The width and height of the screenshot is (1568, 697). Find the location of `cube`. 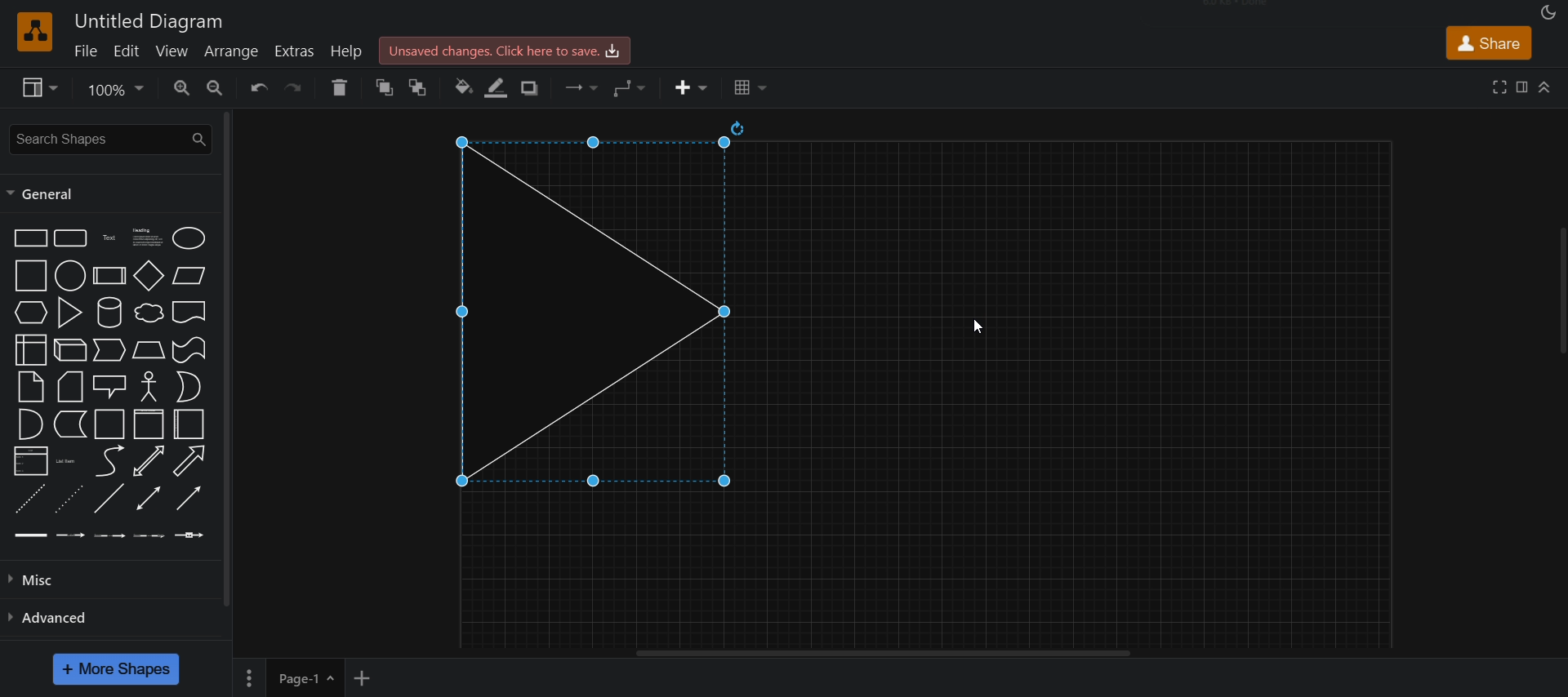

cube is located at coordinates (72, 350).